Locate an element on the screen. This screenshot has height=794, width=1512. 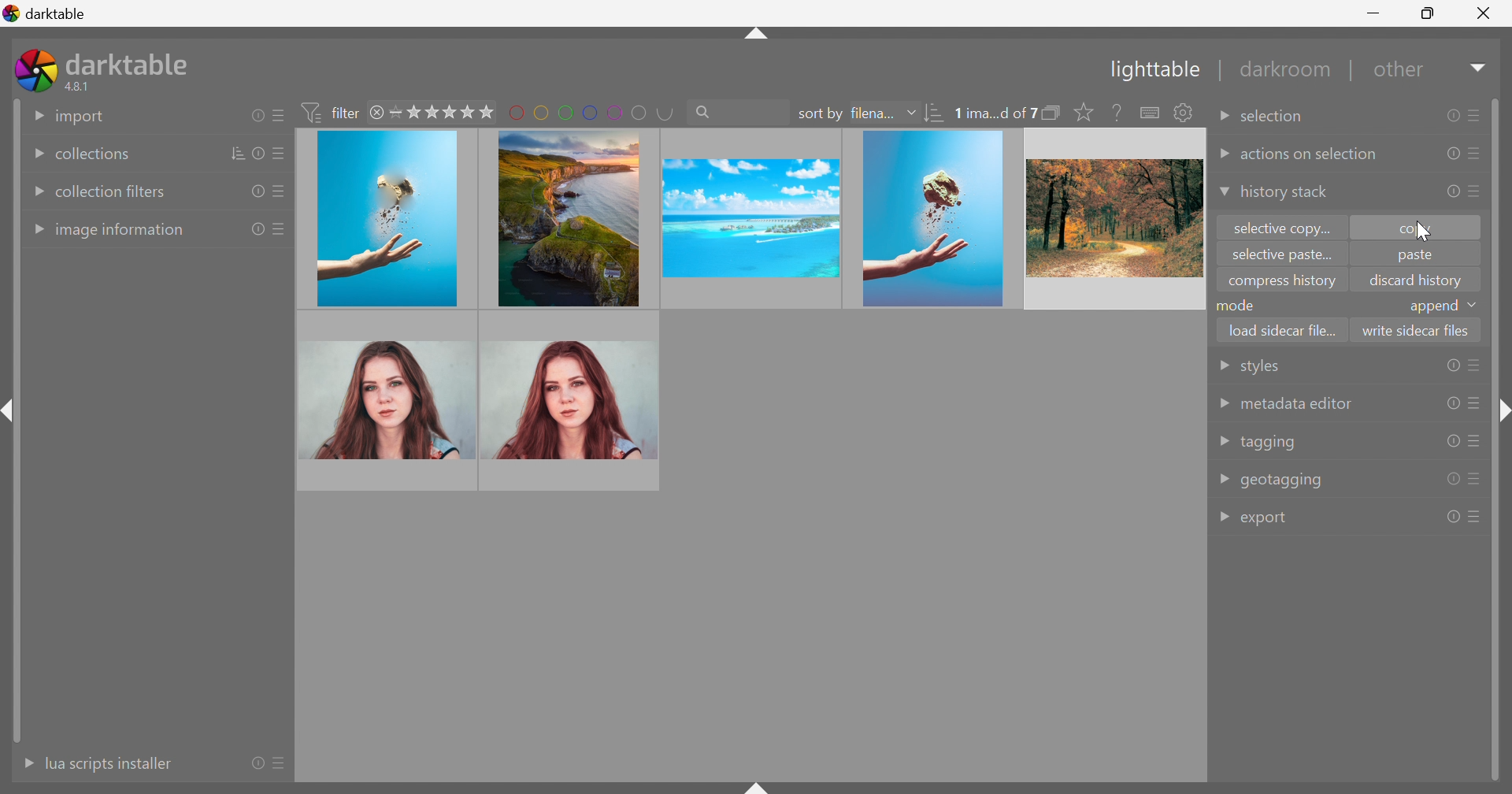
reset is located at coordinates (258, 762).